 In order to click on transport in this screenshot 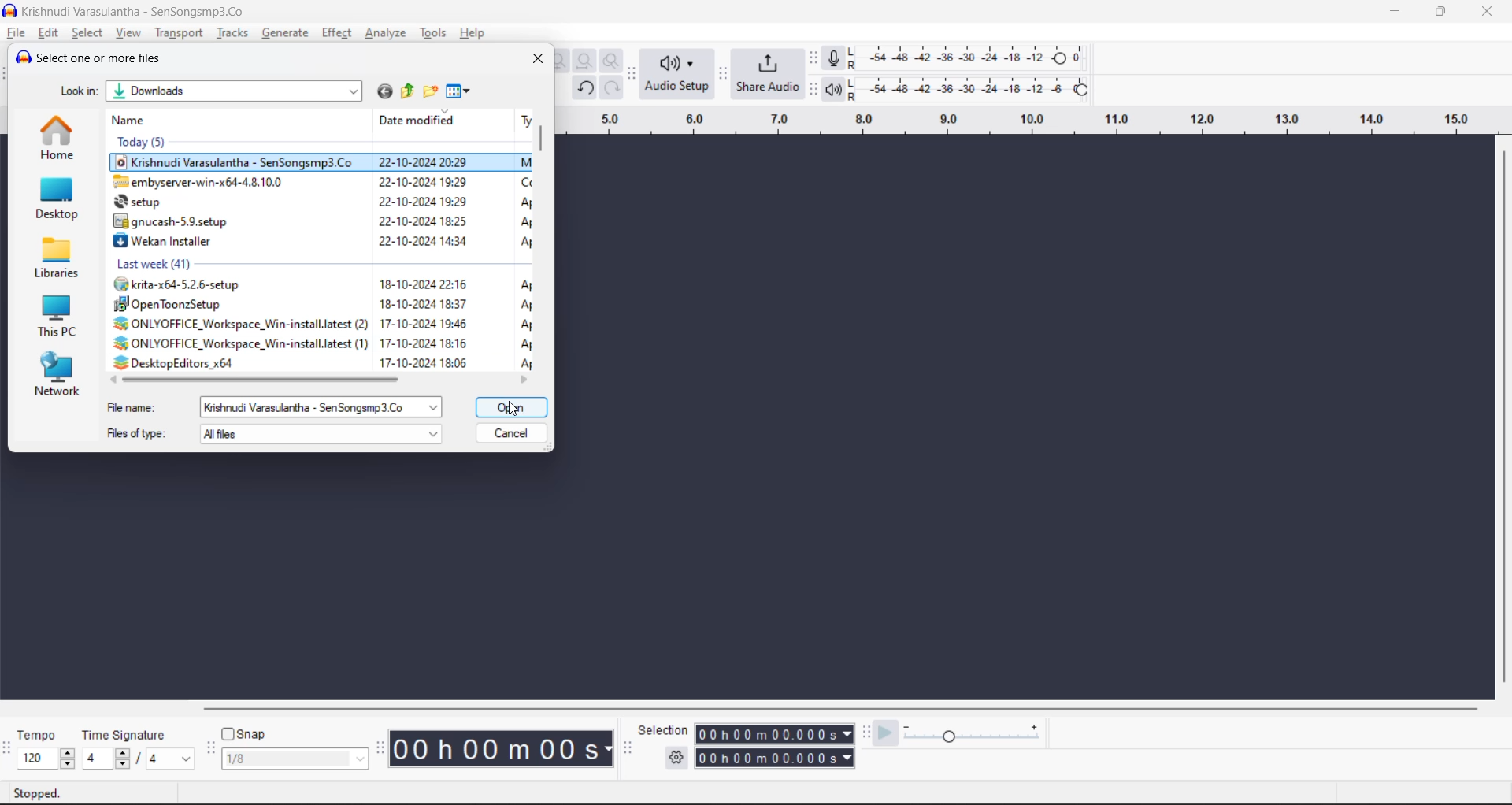, I will do `click(179, 33)`.